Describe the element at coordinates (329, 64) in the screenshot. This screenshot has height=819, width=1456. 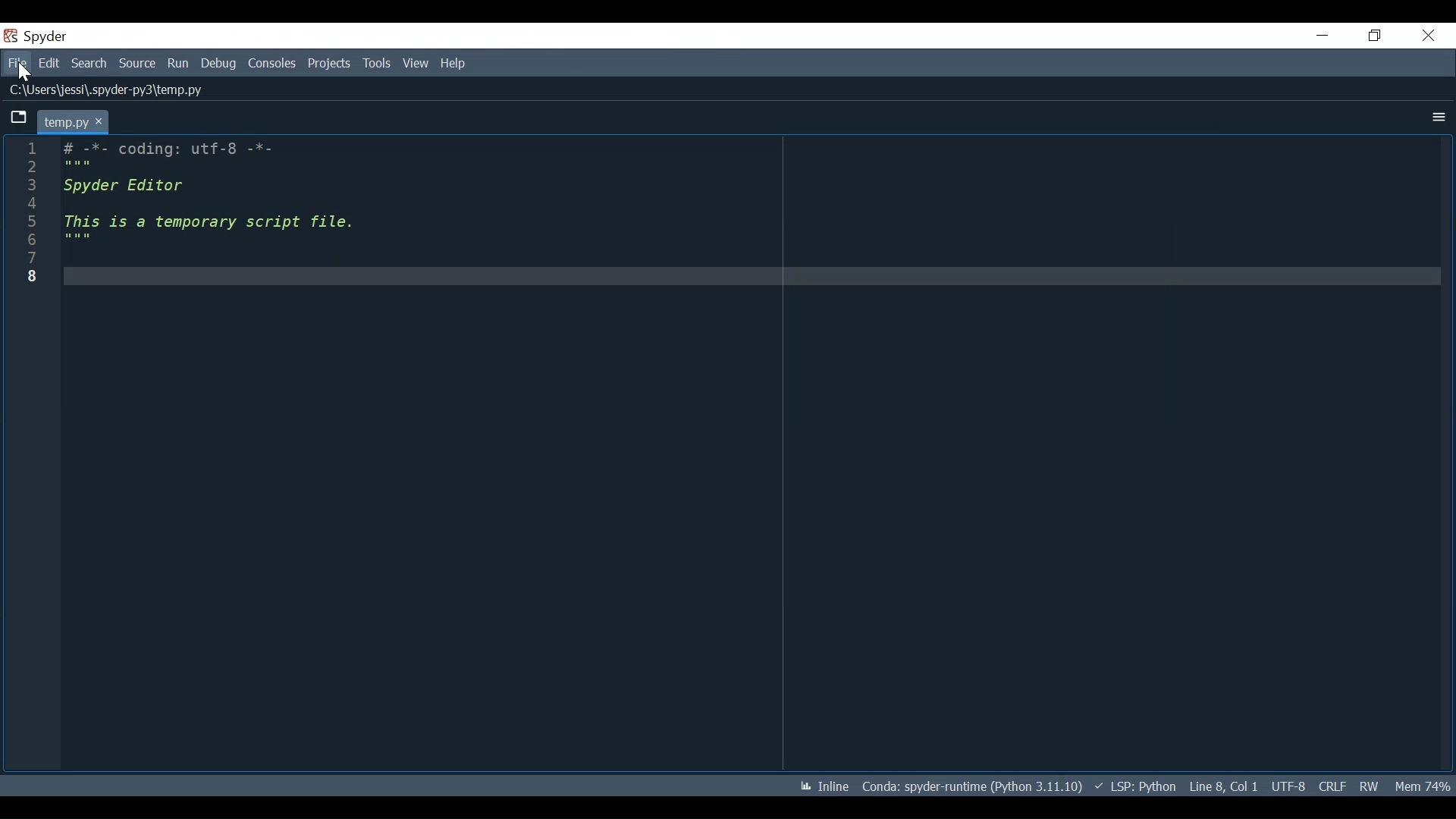
I see `Projects` at that location.